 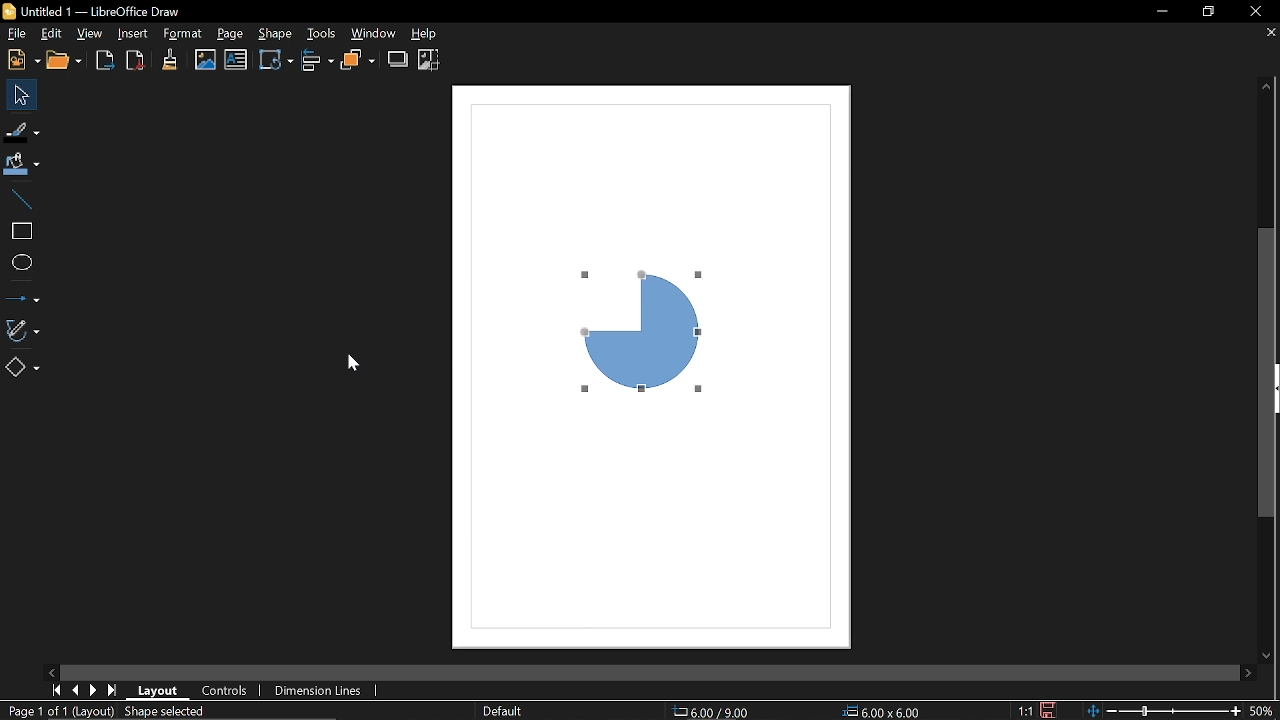 What do you see at coordinates (105, 60) in the screenshot?
I see `Export` at bounding box center [105, 60].